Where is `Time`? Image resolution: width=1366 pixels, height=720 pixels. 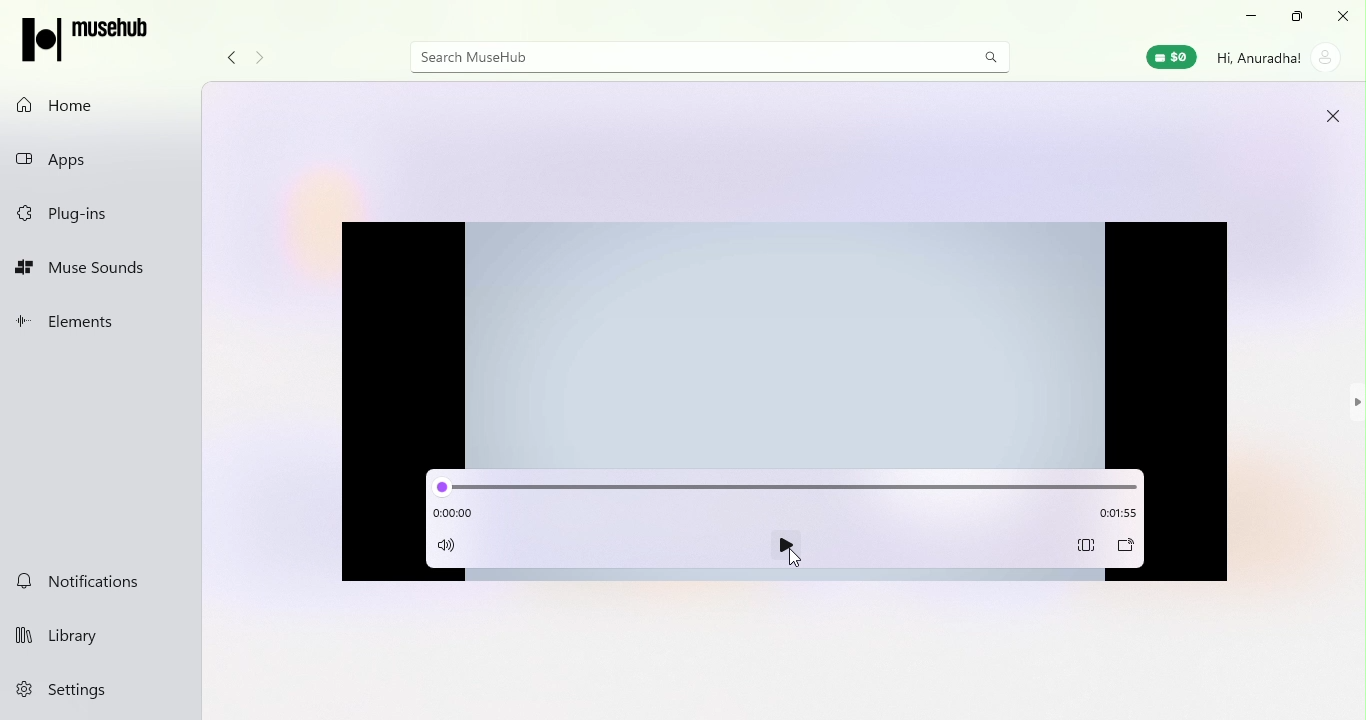
Time is located at coordinates (457, 513).